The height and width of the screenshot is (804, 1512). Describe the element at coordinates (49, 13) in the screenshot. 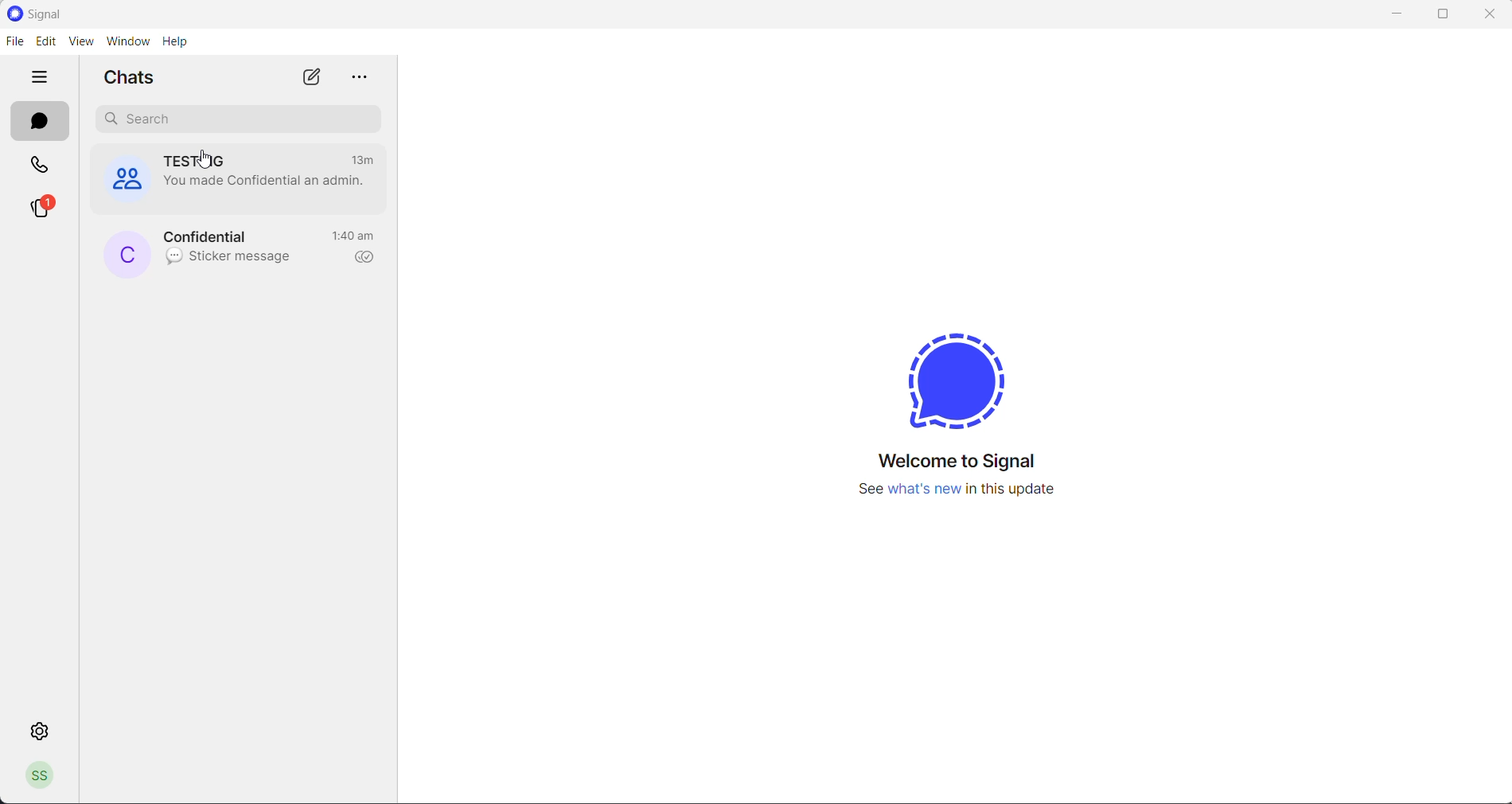

I see `application logo and name` at that location.